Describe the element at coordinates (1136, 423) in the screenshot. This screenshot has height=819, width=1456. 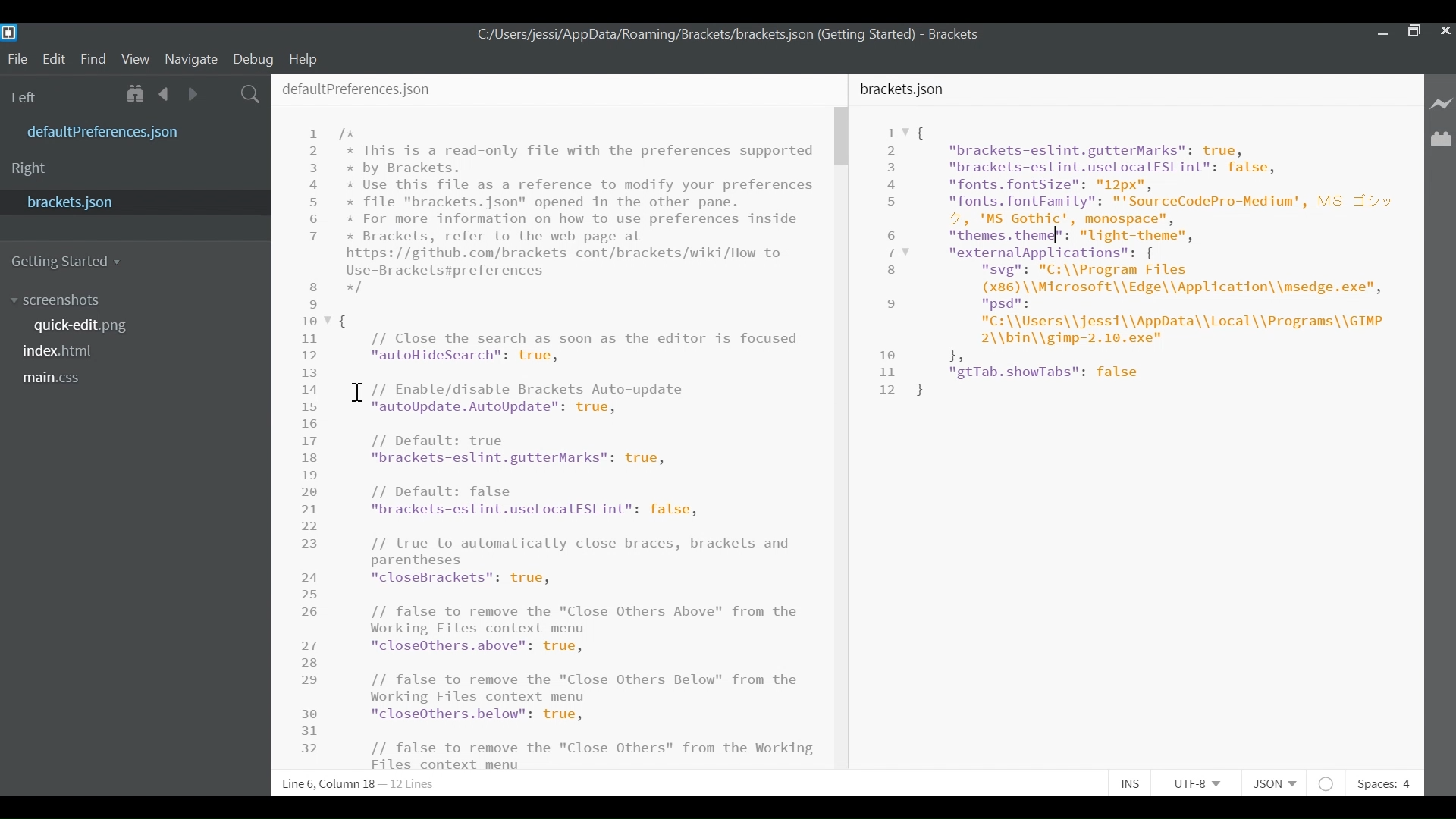
I see `bracket.json File Editor` at that location.